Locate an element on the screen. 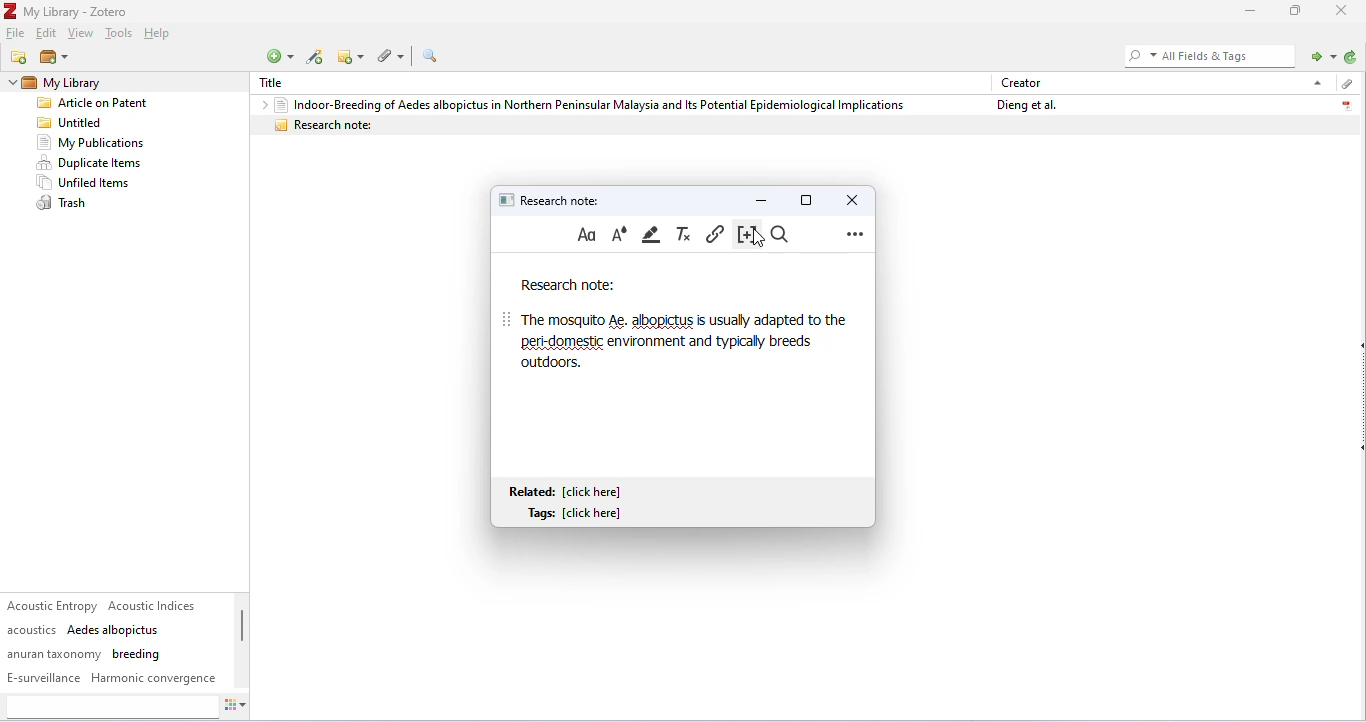 This screenshot has height=722, width=1366. minimize is located at coordinates (1247, 11).